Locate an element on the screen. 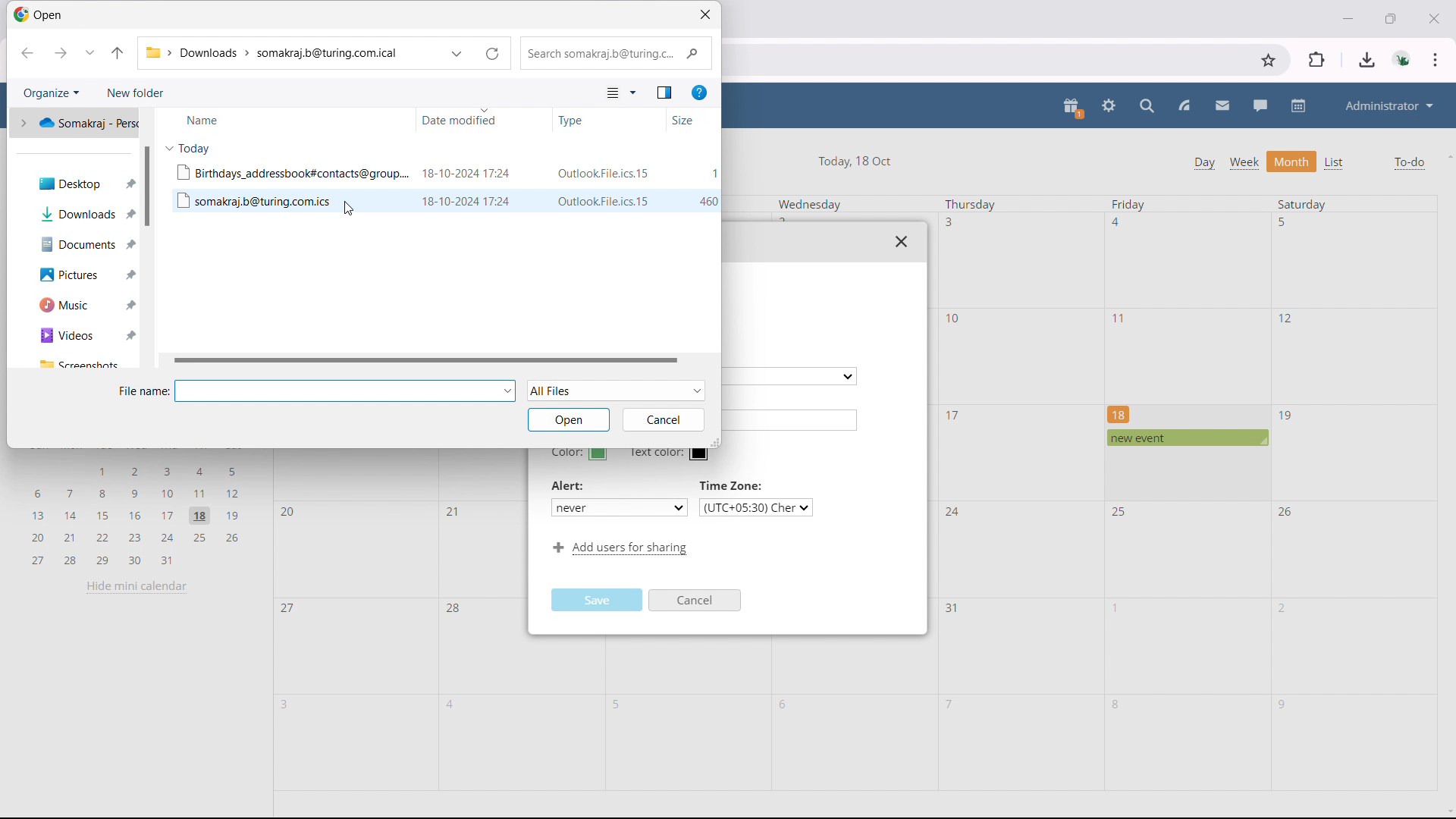 The image size is (1456, 819). 5 is located at coordinates (620, 705).